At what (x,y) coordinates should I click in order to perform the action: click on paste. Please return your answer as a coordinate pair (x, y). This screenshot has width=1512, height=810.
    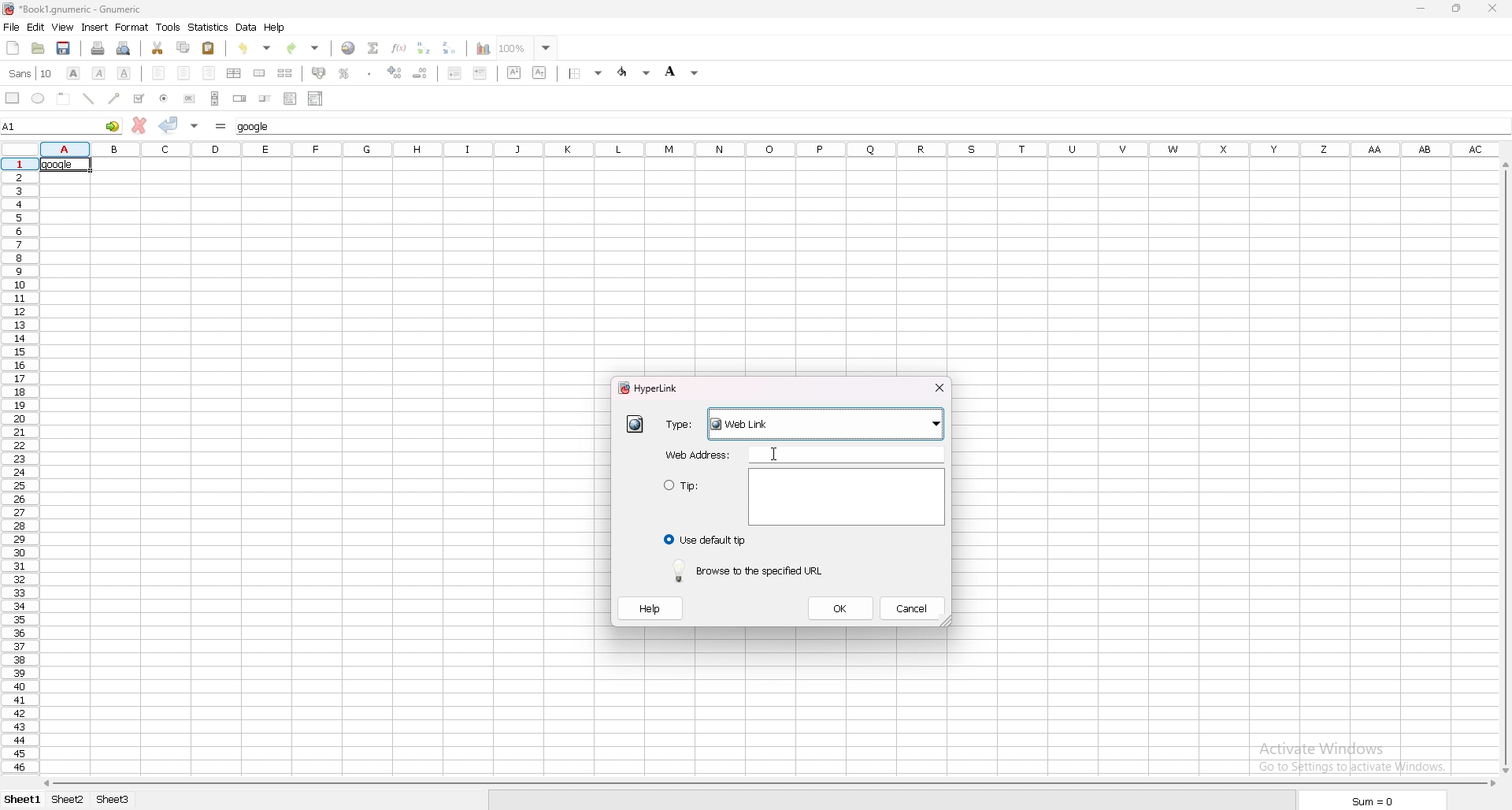
    Looking at the image, I should click on (209, 49).